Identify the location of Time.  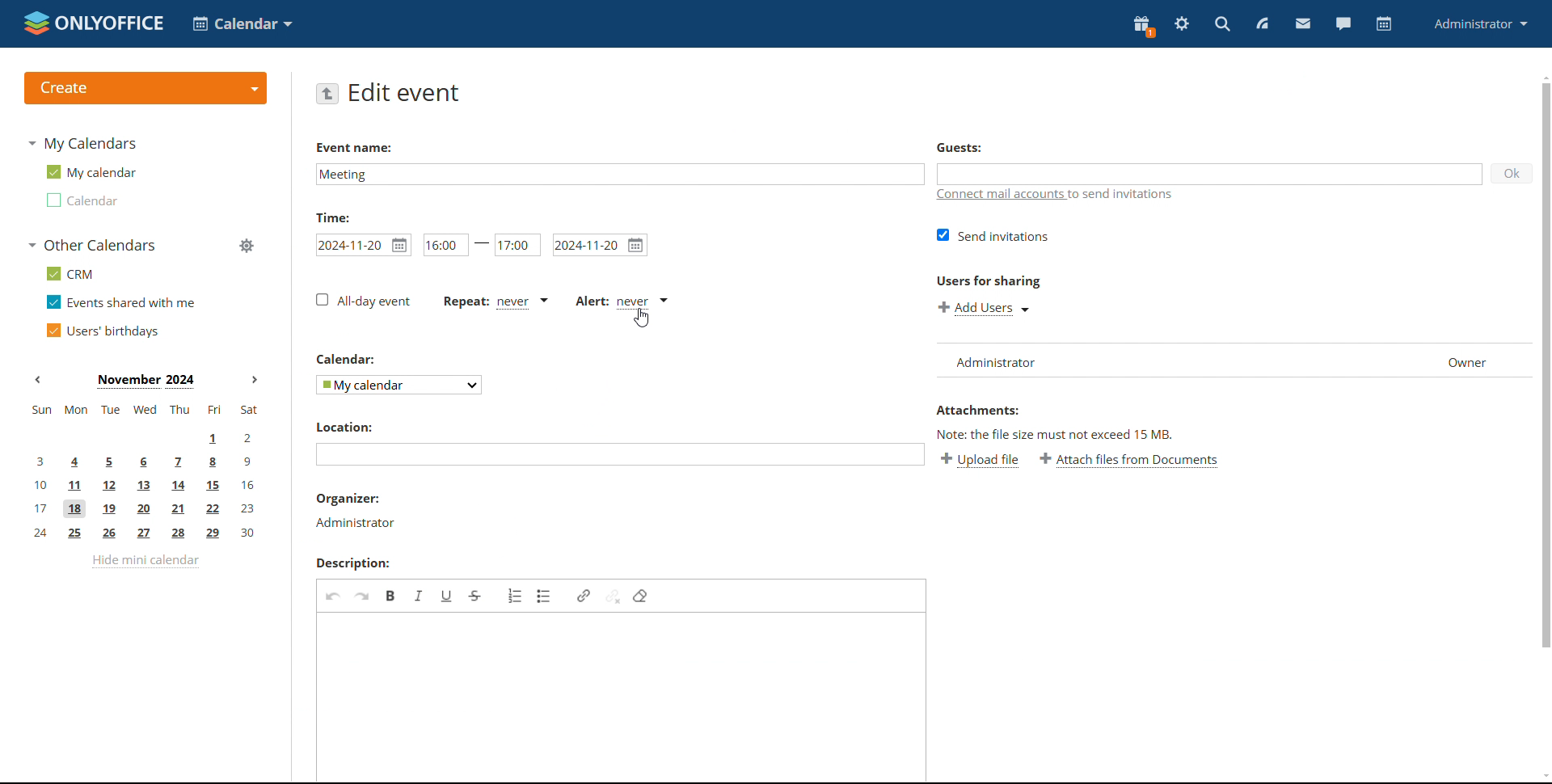
(333, 217).